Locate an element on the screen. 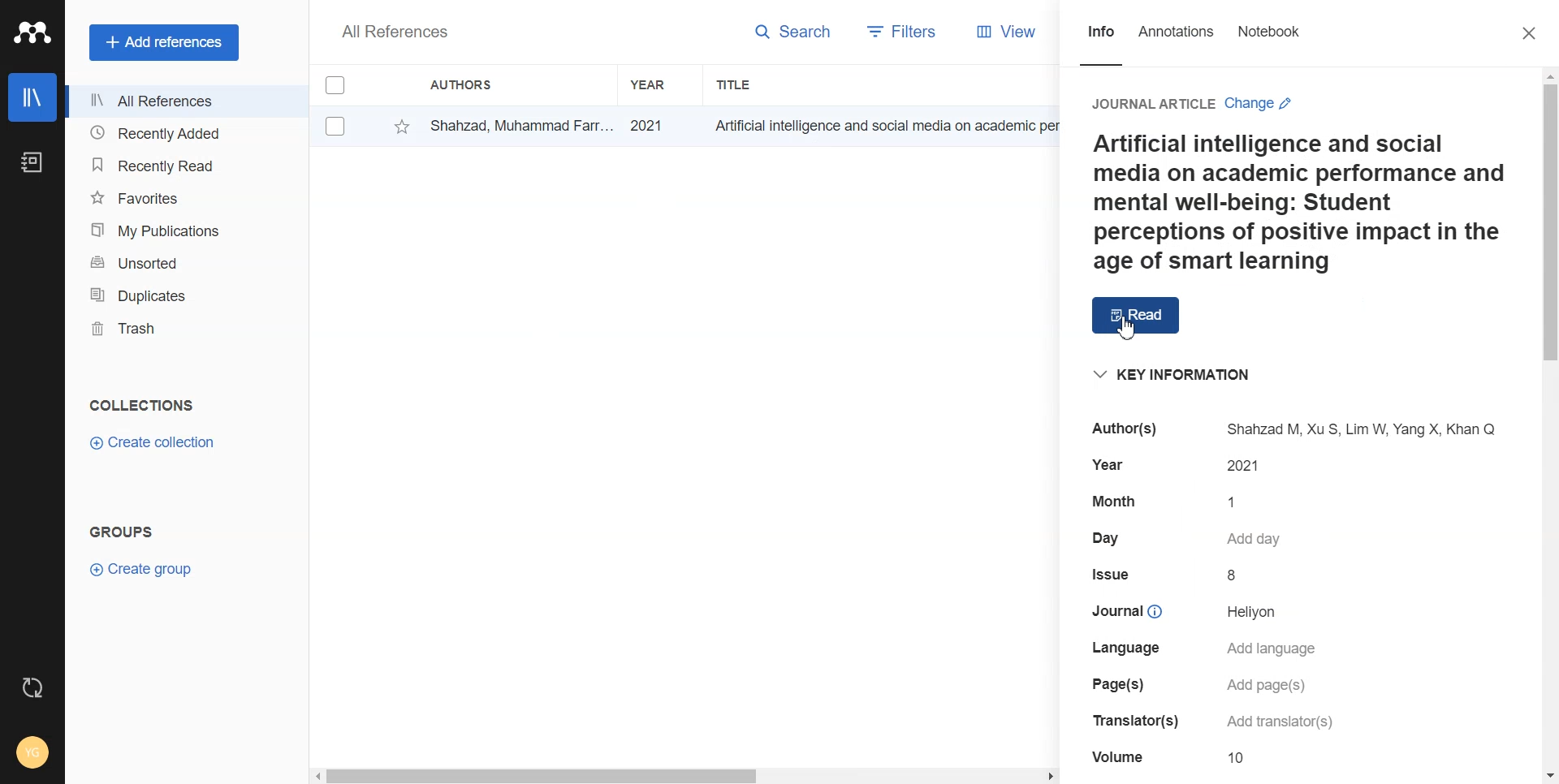 This screenshot has height=784, width=1559. Title is located at coordinates (736, 84).